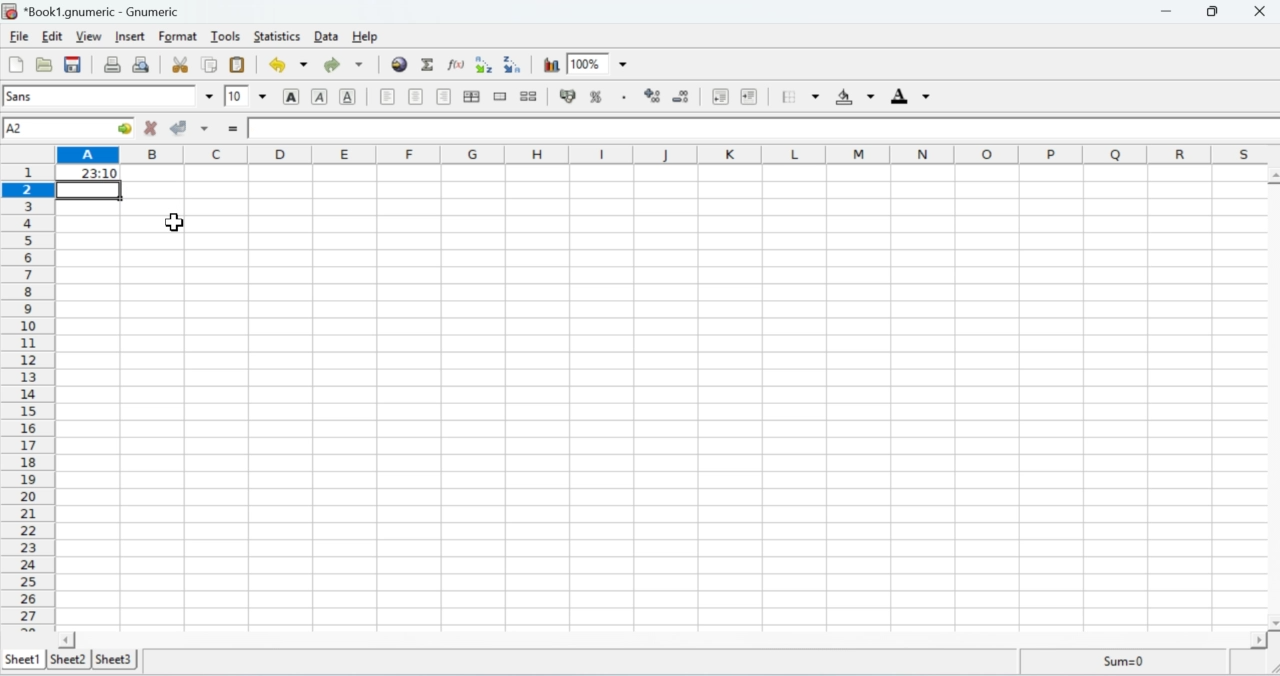 The width and height of the screenshot is (1280, 676). Describe the element at coordinates (86, 172) in the screenshot. I see `23:10` at that location.